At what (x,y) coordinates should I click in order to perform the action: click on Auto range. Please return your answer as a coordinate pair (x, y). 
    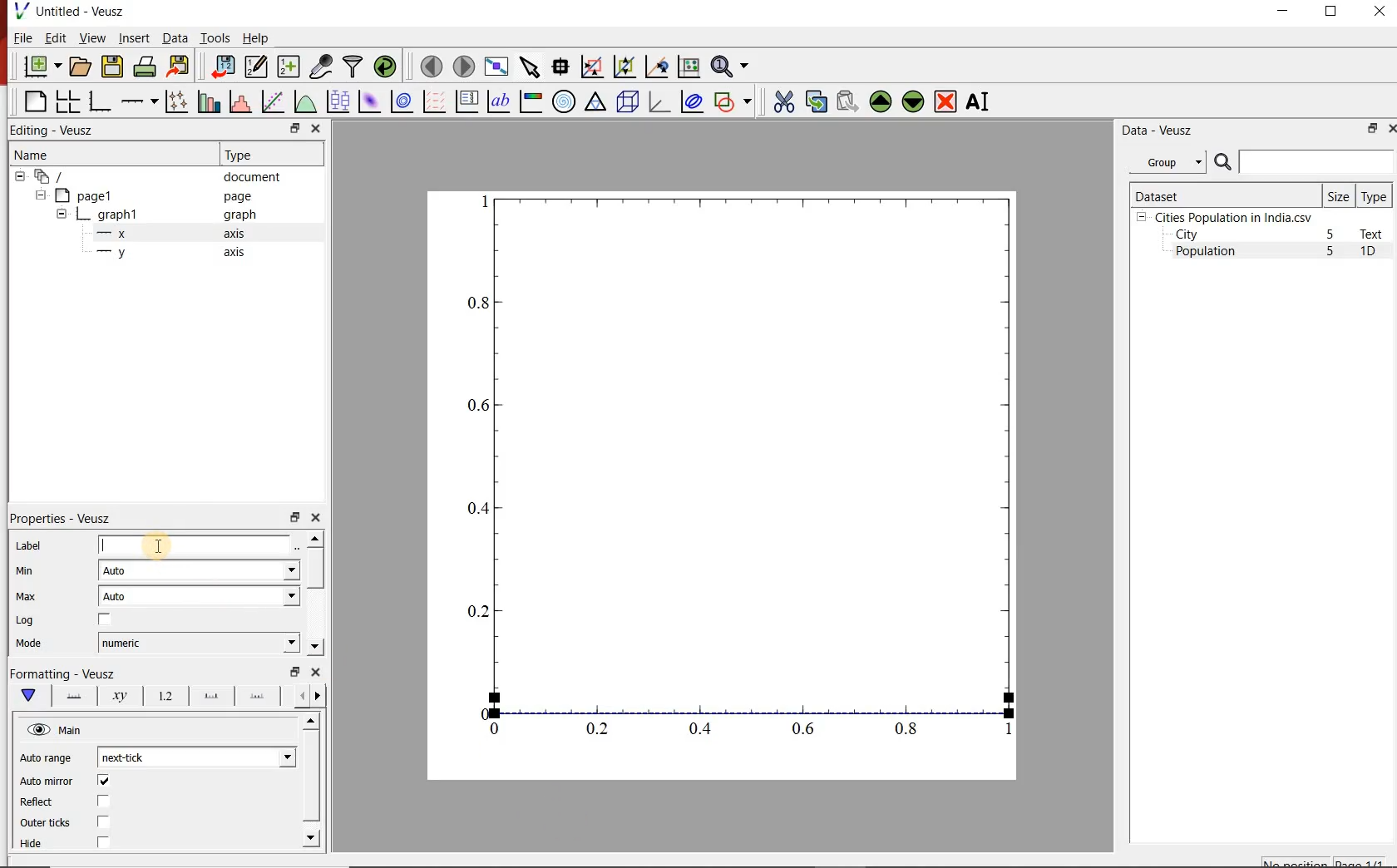
    Looking at the image, I should click on (47, 758).